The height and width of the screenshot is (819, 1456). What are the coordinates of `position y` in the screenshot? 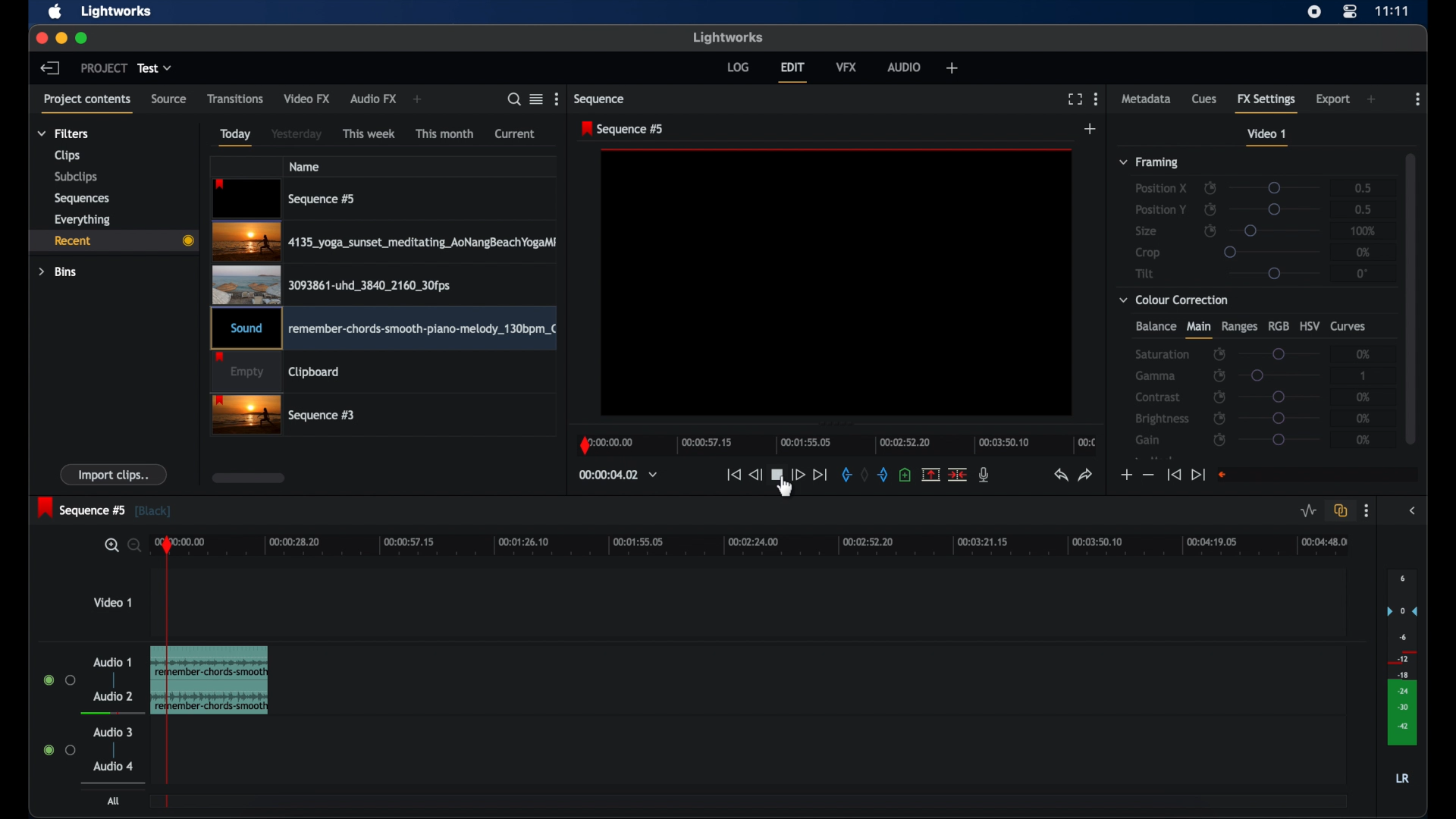 It's located at (1160, 209).